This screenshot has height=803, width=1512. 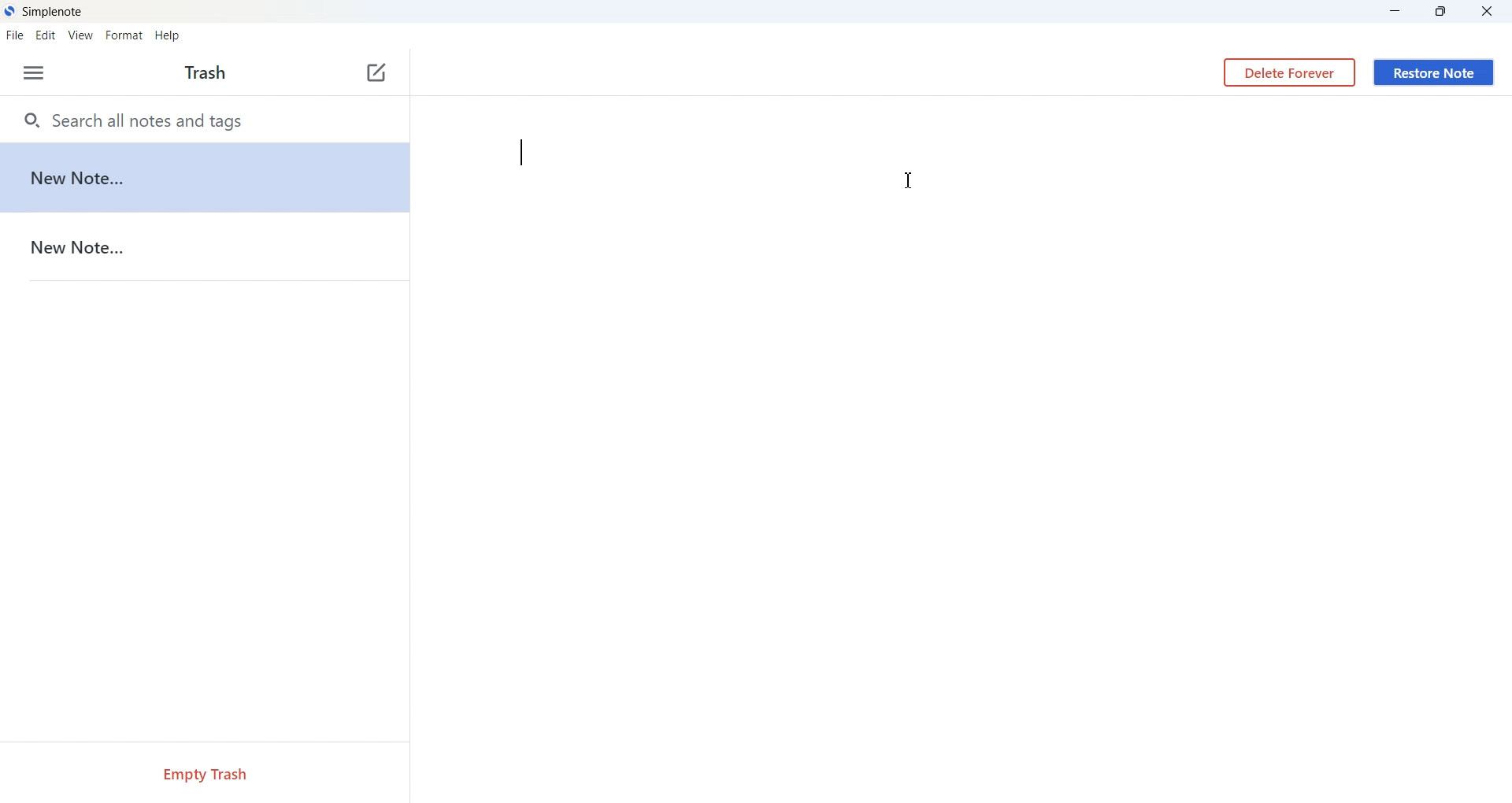 What do you see at coordinates (33, 72) in the screenshot?
I see `Options` at bounding box center [33, 72].